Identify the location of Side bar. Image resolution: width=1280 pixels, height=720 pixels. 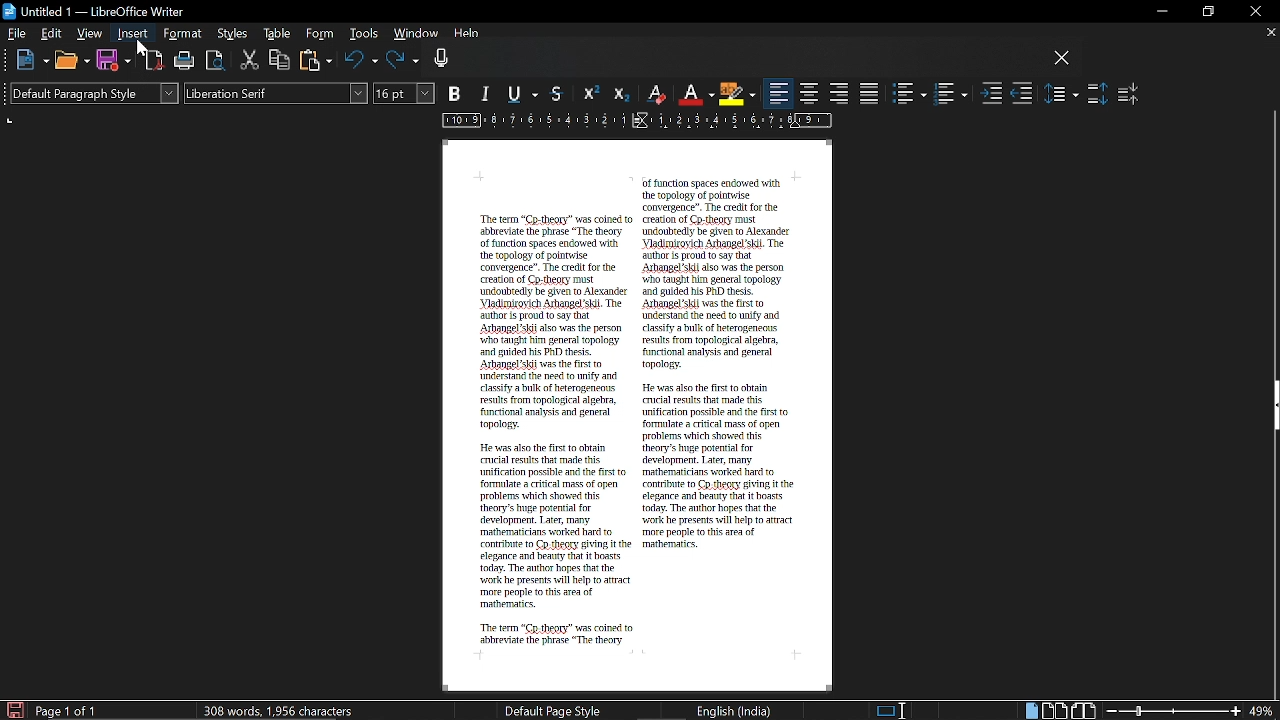
(1272, 408).